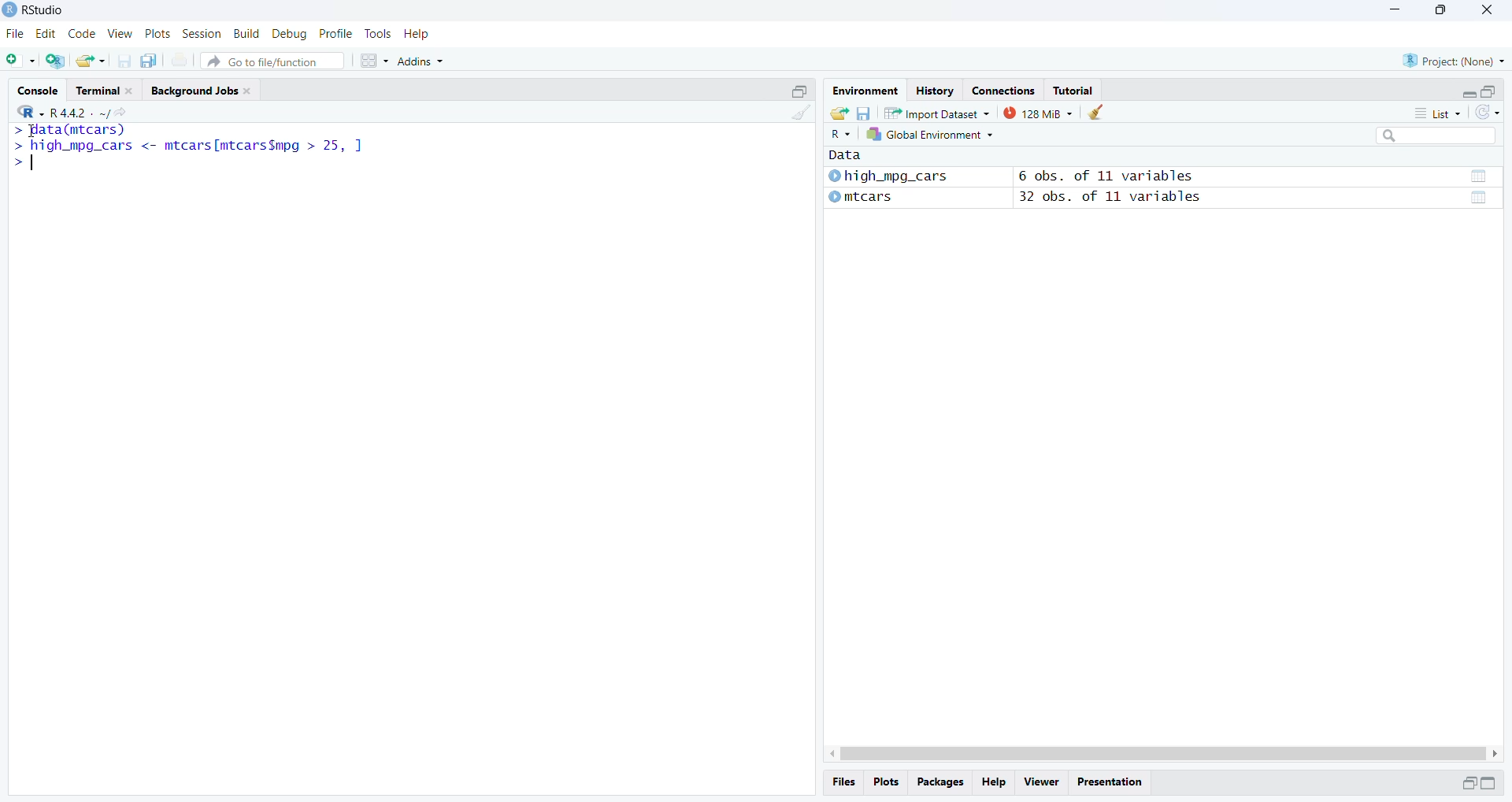  I want to click on Viewer, so click(1041, 783).